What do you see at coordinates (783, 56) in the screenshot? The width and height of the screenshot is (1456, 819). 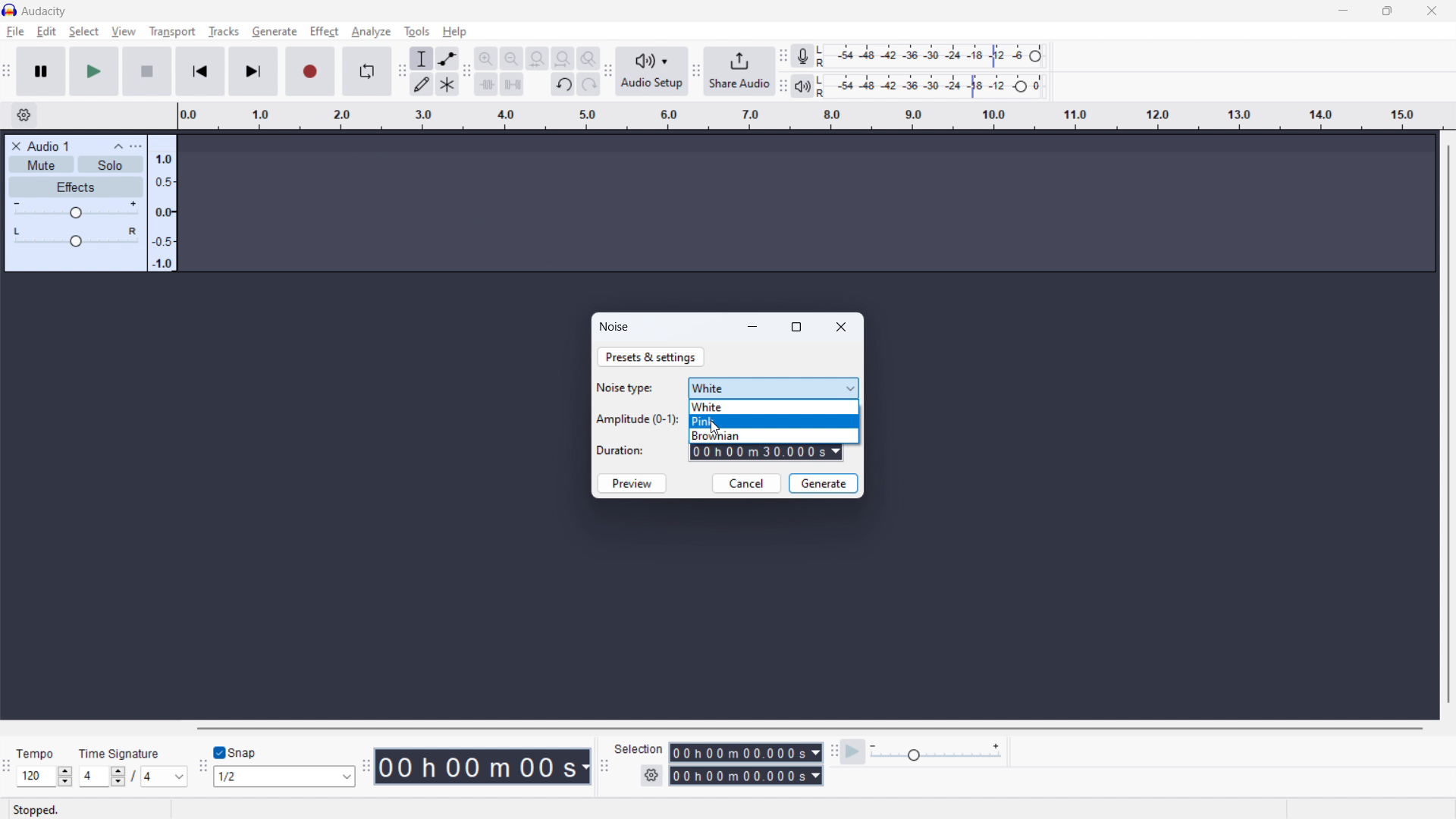 I see `recording meter toolbar` at bounding box center [783, 56].